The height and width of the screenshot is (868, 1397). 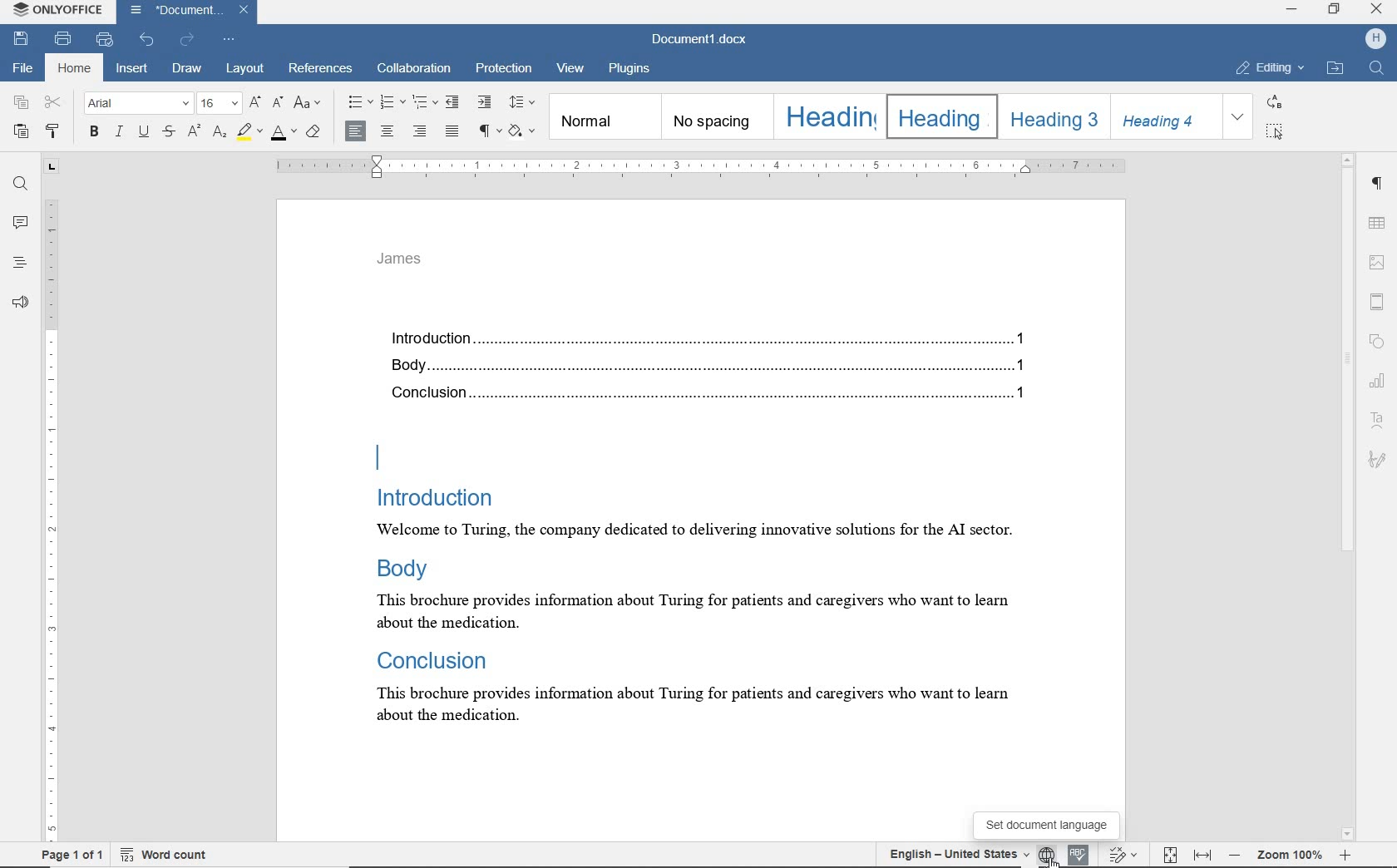 What do you see at coordinates (20, 39) in the screenshot?
I see `save` at bounding box center [20, 39].